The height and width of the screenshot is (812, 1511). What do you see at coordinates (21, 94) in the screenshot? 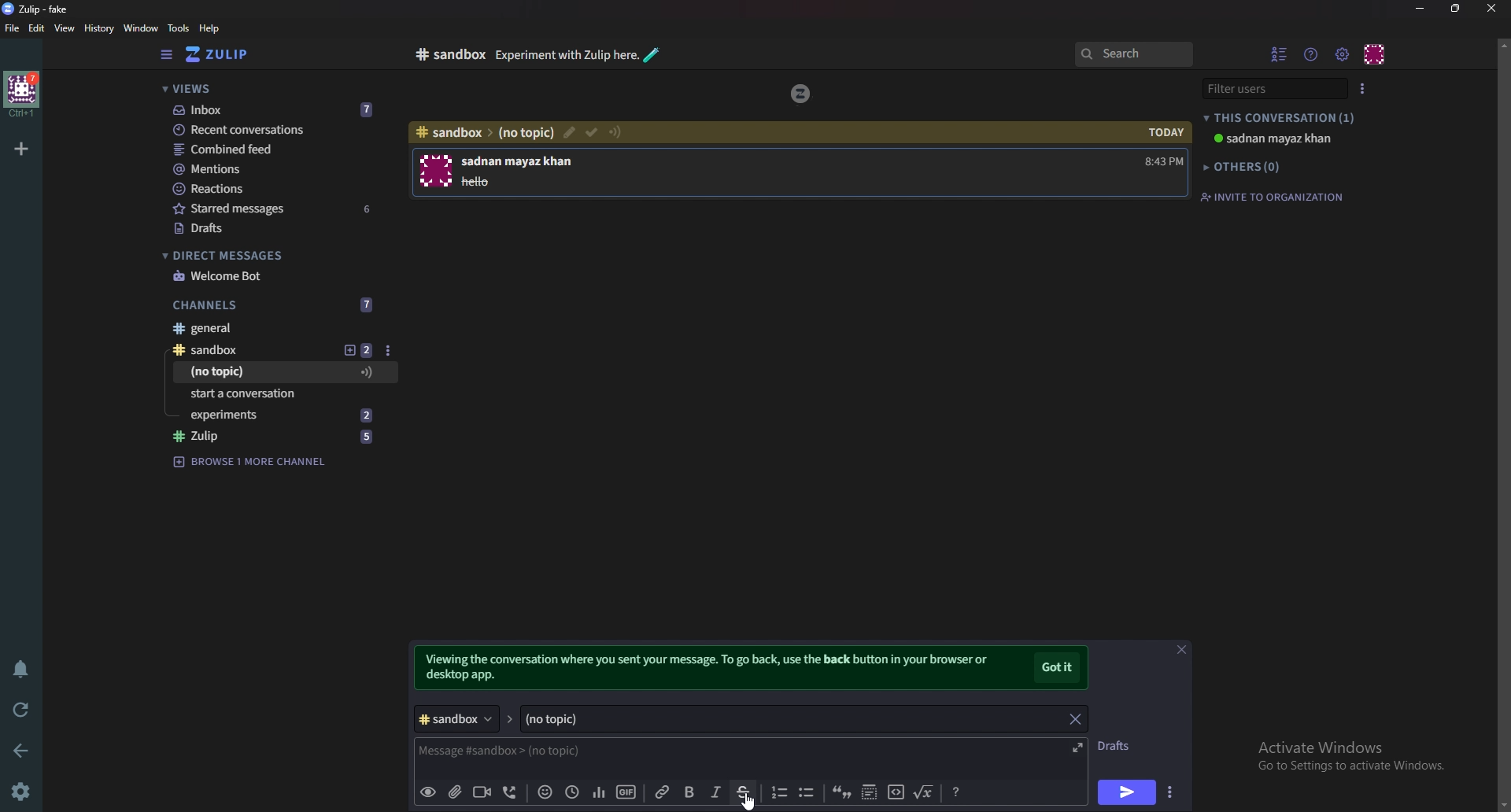
I see `home` at bounding box center [21, 94].